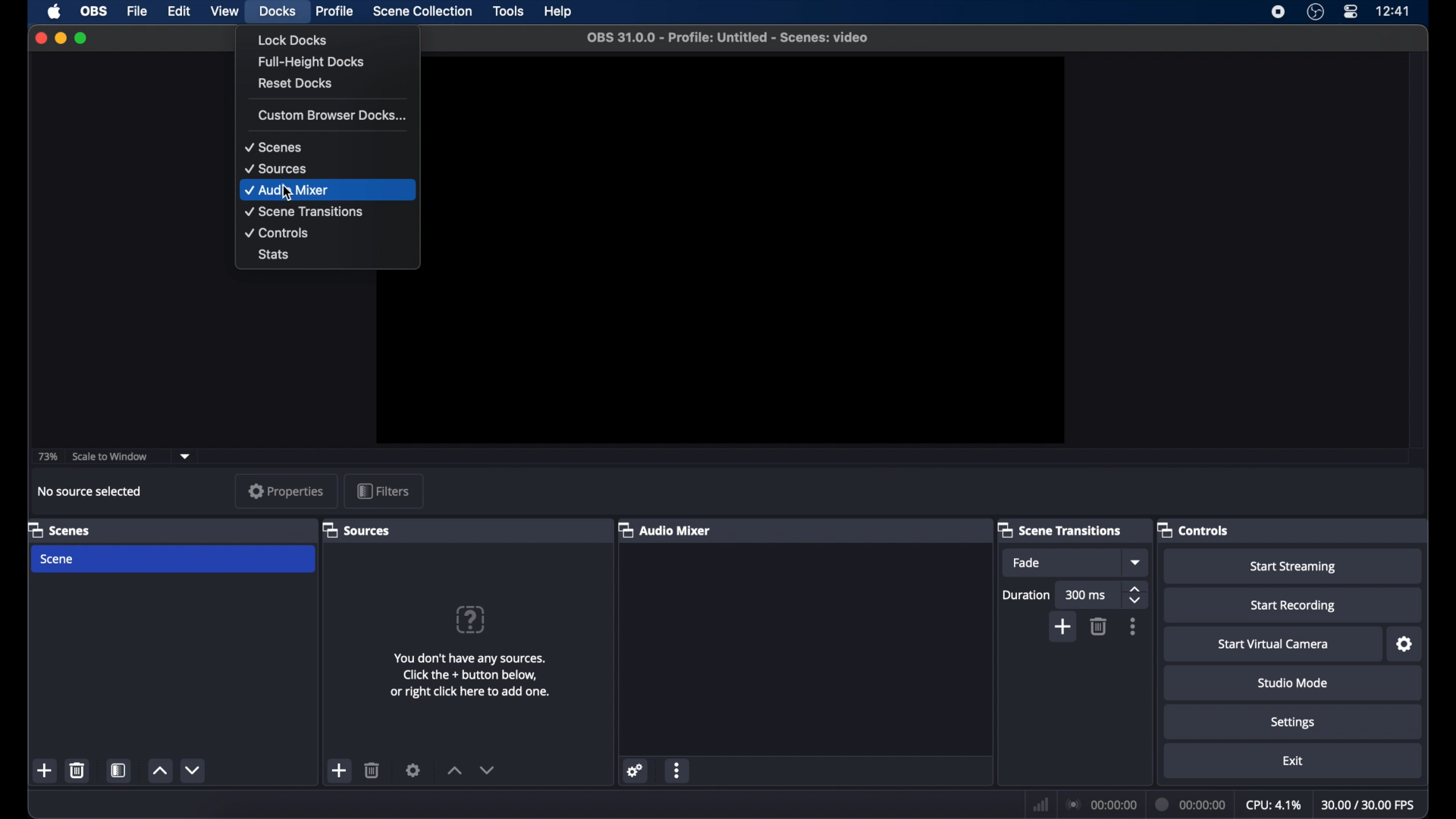 The width and height of the screenshot is (1456, 819). I want to click on preview, so click(752, 250).